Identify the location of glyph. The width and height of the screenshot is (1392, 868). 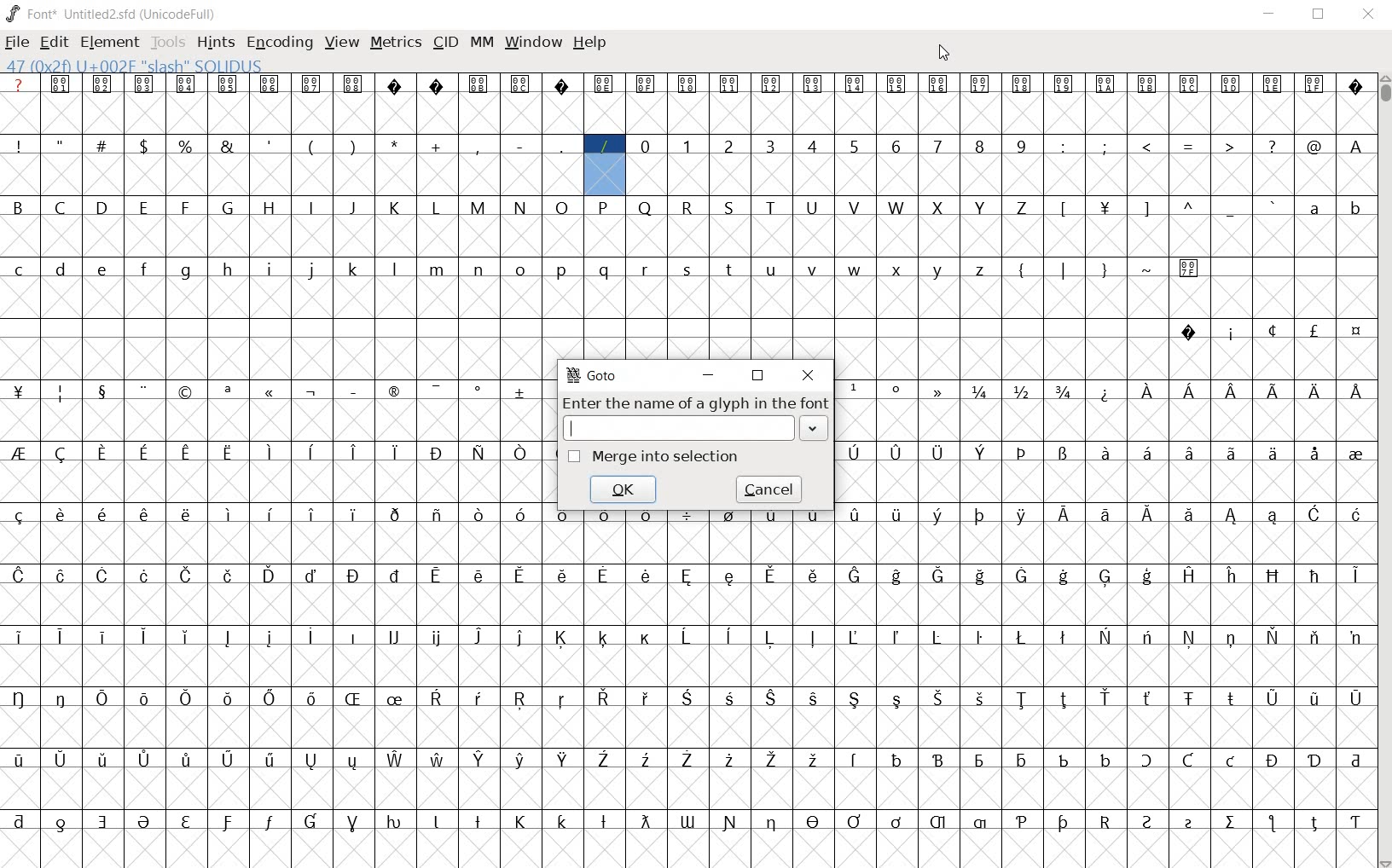
(1023, 761).